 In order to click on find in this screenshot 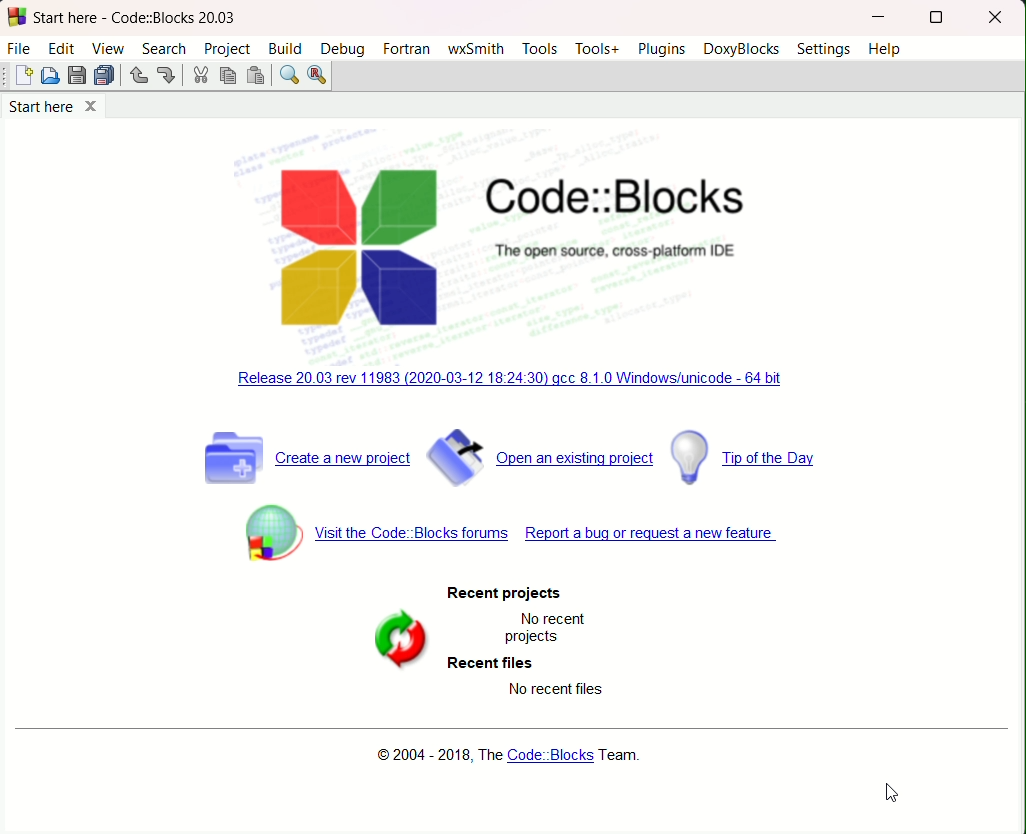, I will do `click(288, 76)`.